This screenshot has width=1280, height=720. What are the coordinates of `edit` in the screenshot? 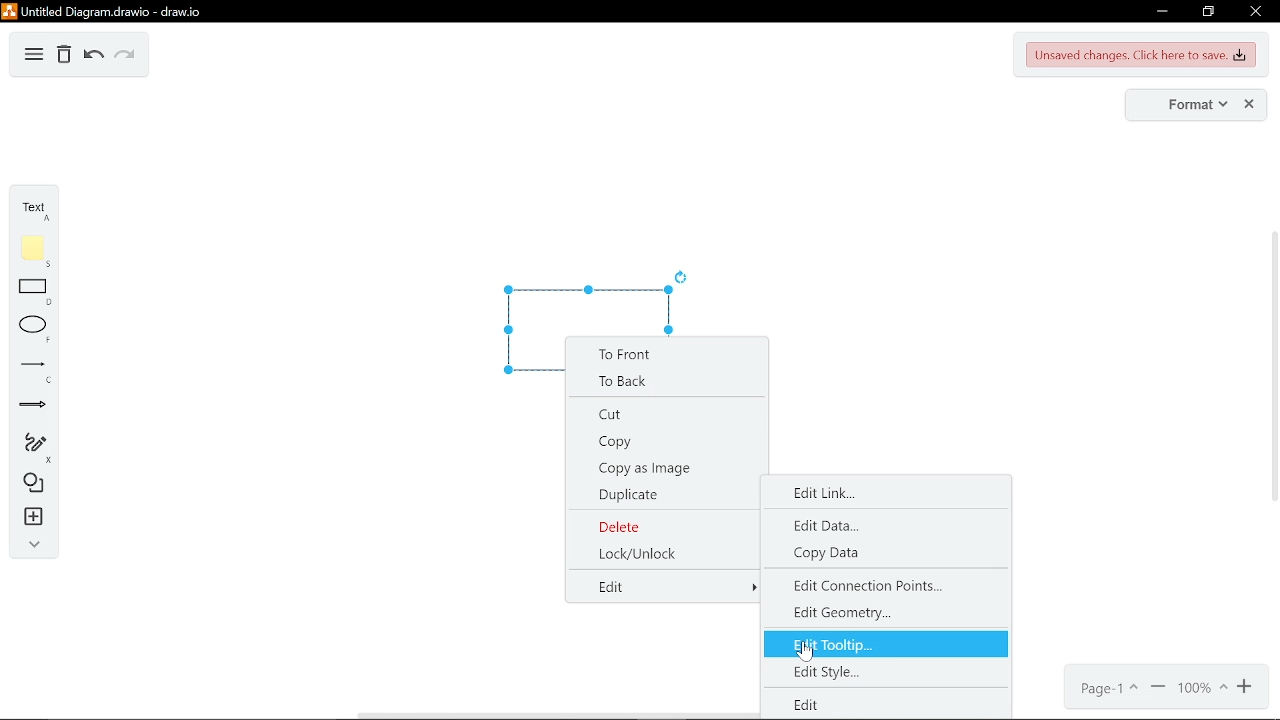 It's located at (809, 704).